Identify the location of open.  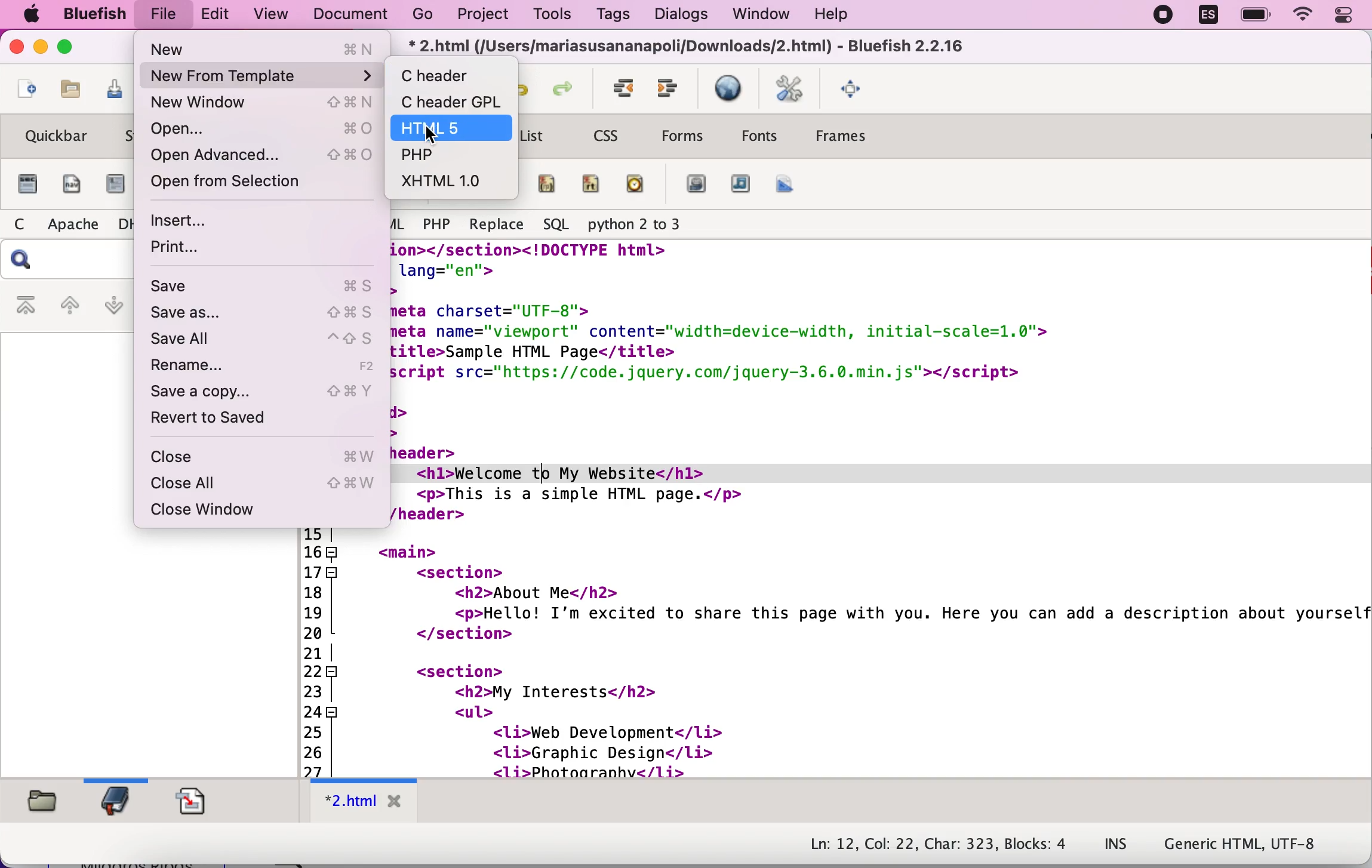
(265, 130).